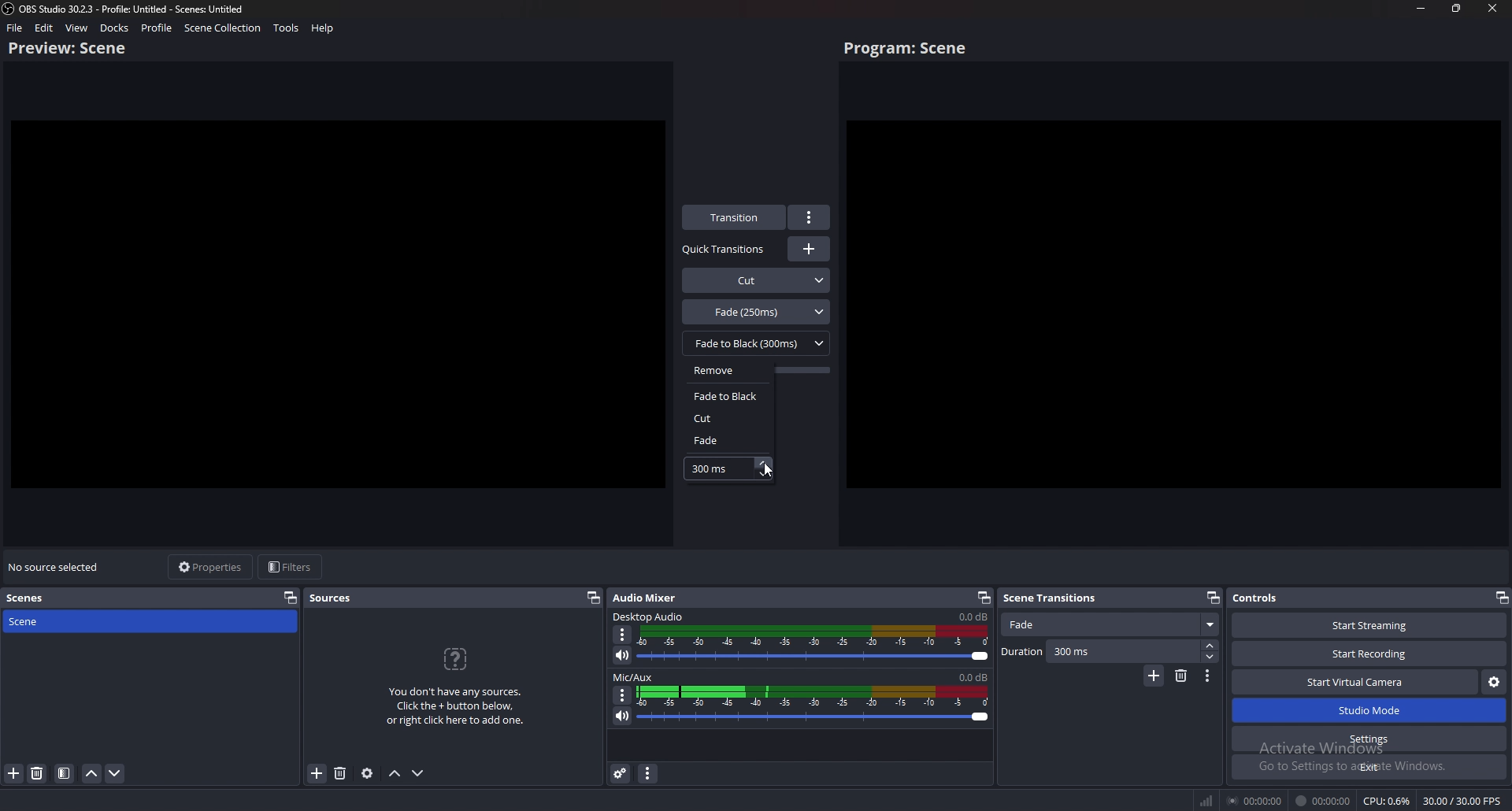 The height and width of the screenshot is (811, 1512). Describe the element at coordinates (1369, 711) in the screenshot. I see `Studio mode` at that location.